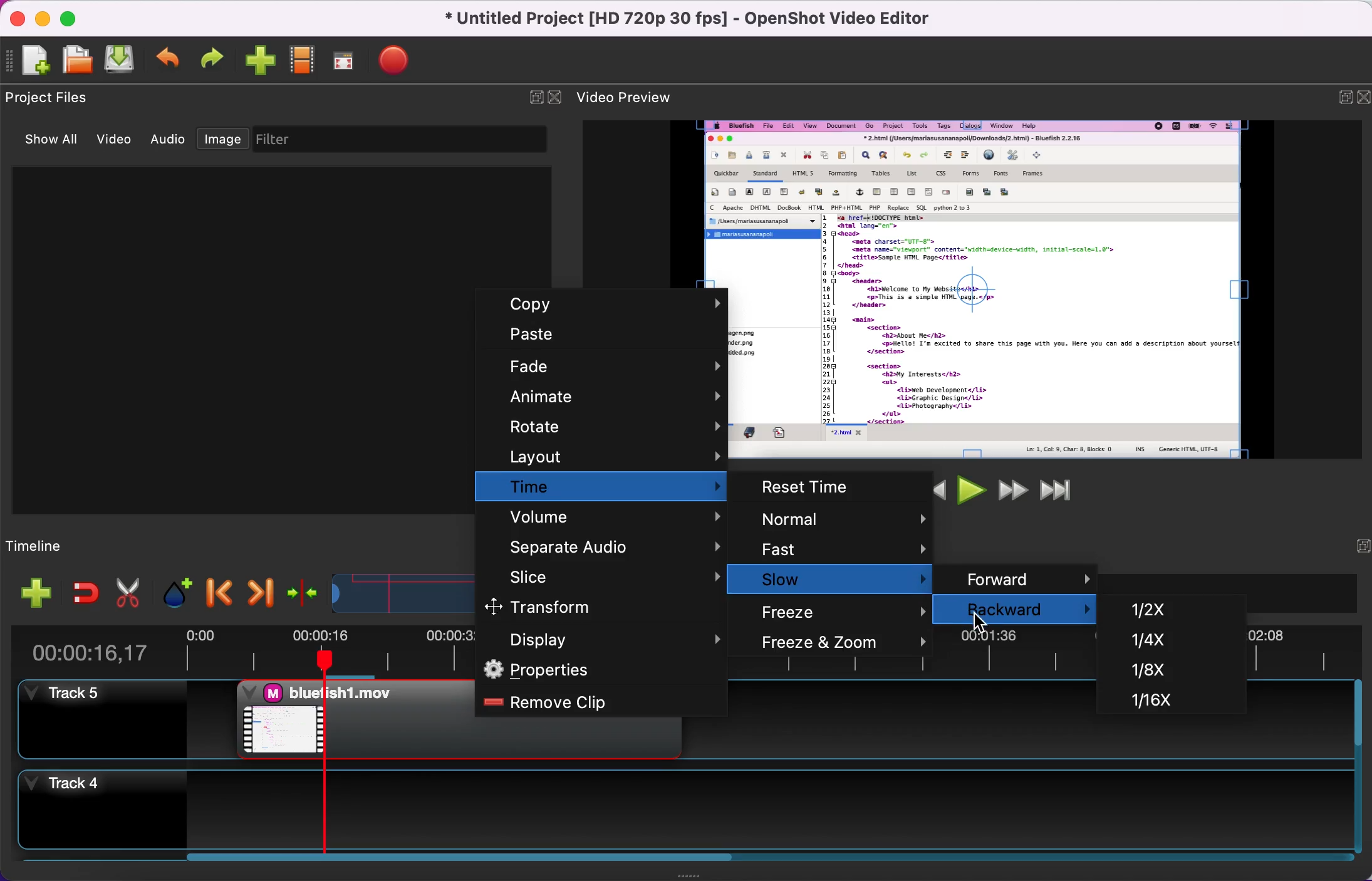 The image size is (1372, 881). Describe the element at coordinates (606, 575) in the screenshot. I see `slice` at that location.